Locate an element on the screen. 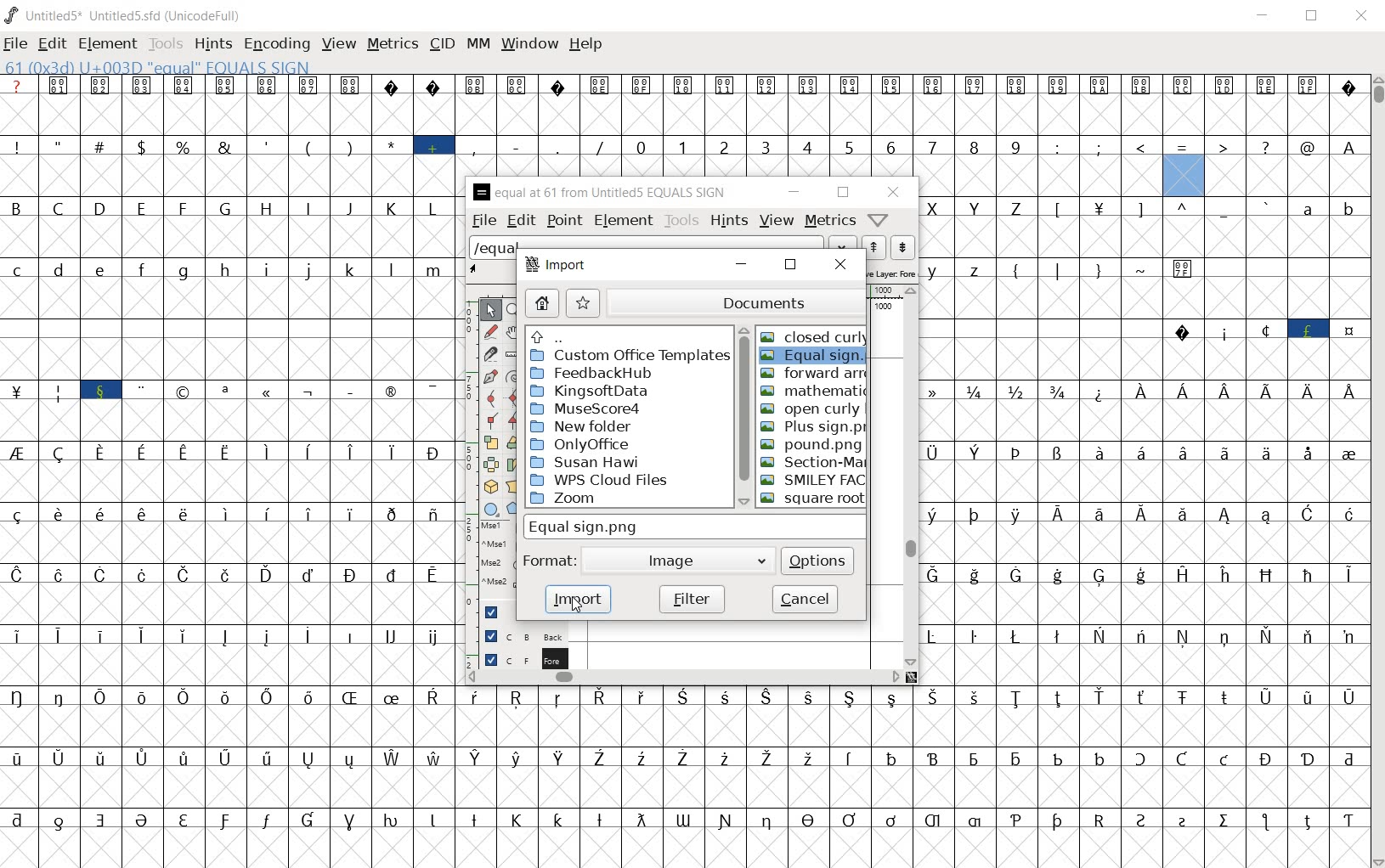  cid is located at coordinates (441, 42).